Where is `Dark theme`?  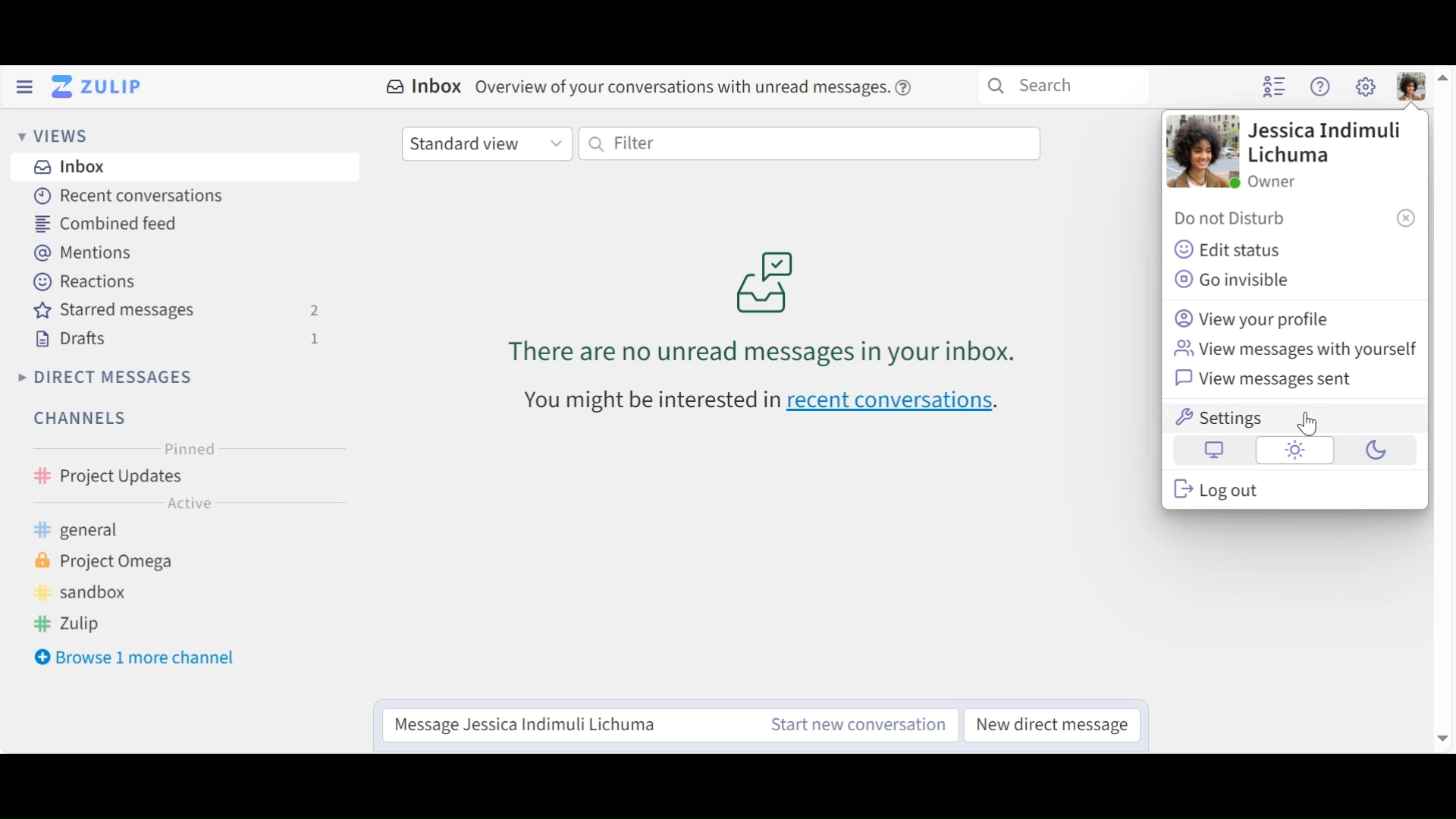
Dark theme is located at coordinates (1372, 453).